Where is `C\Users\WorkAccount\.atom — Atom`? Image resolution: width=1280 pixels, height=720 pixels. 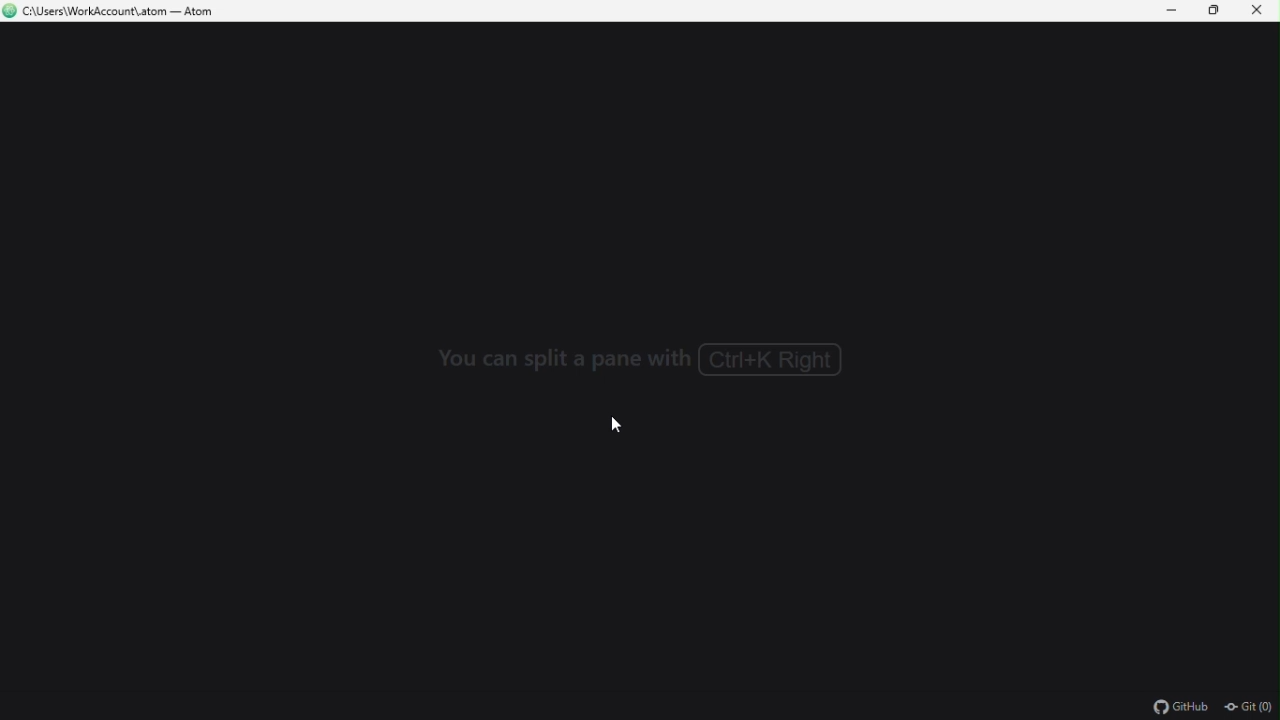 C\Users\WorkAccount\.atom — Atom is located at coordinates (119, 11).